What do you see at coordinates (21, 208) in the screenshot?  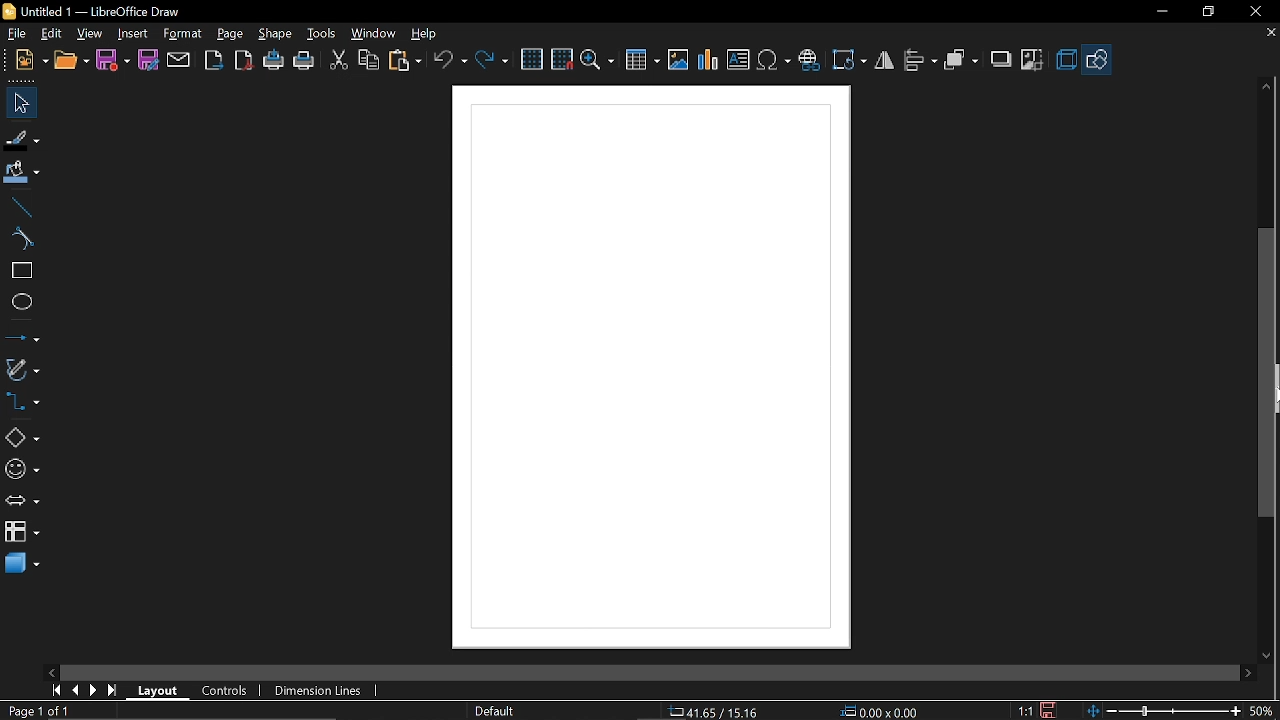 I see `line` at bounding box center [21, 208].